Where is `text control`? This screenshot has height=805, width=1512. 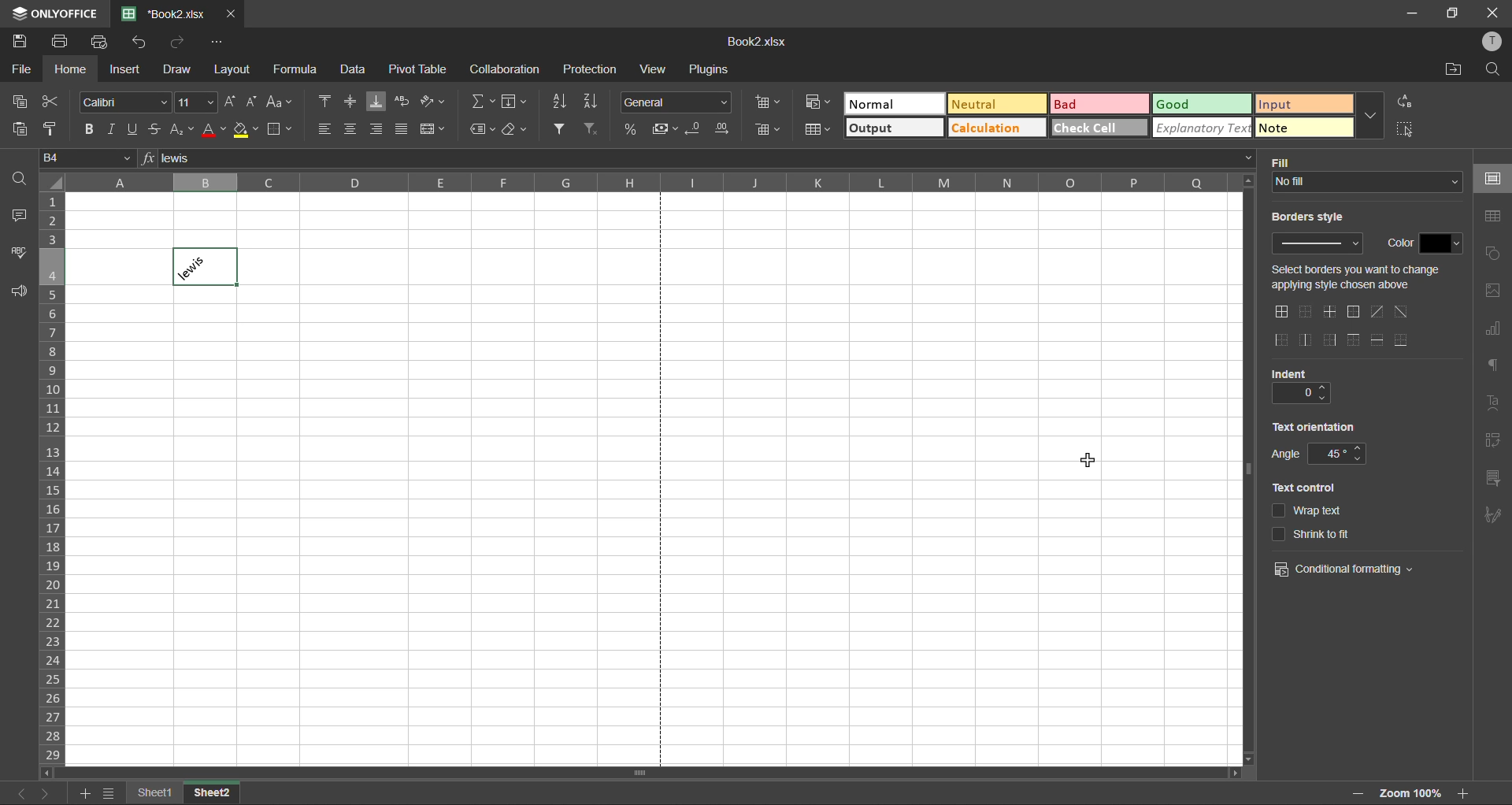
text control is located at coordinates (1303, 488).